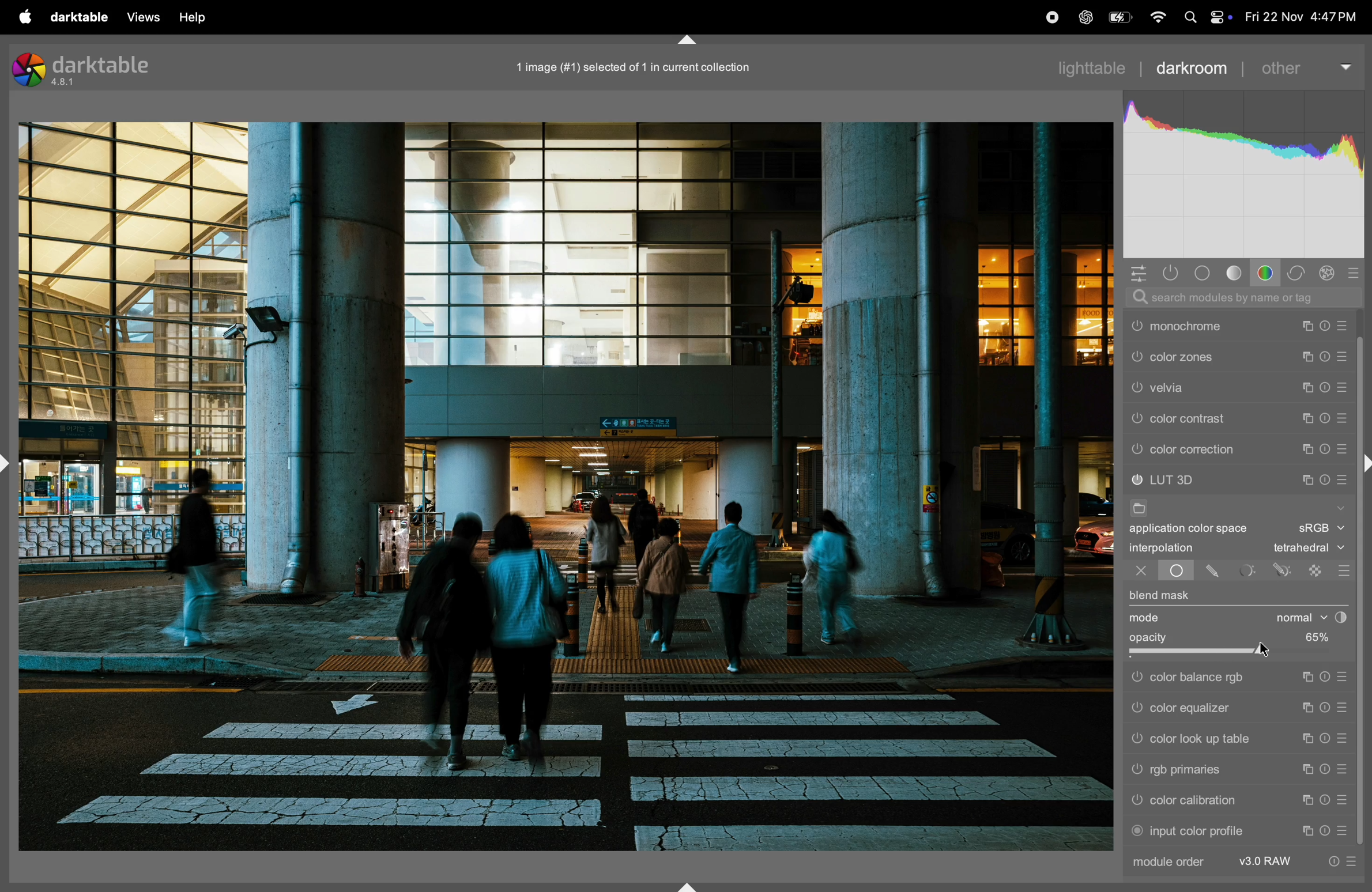 The image size is (1372, 892). Describe the element at coordinates (1309, 708) in the screenshot. I see `multiple instance actions` at that location.